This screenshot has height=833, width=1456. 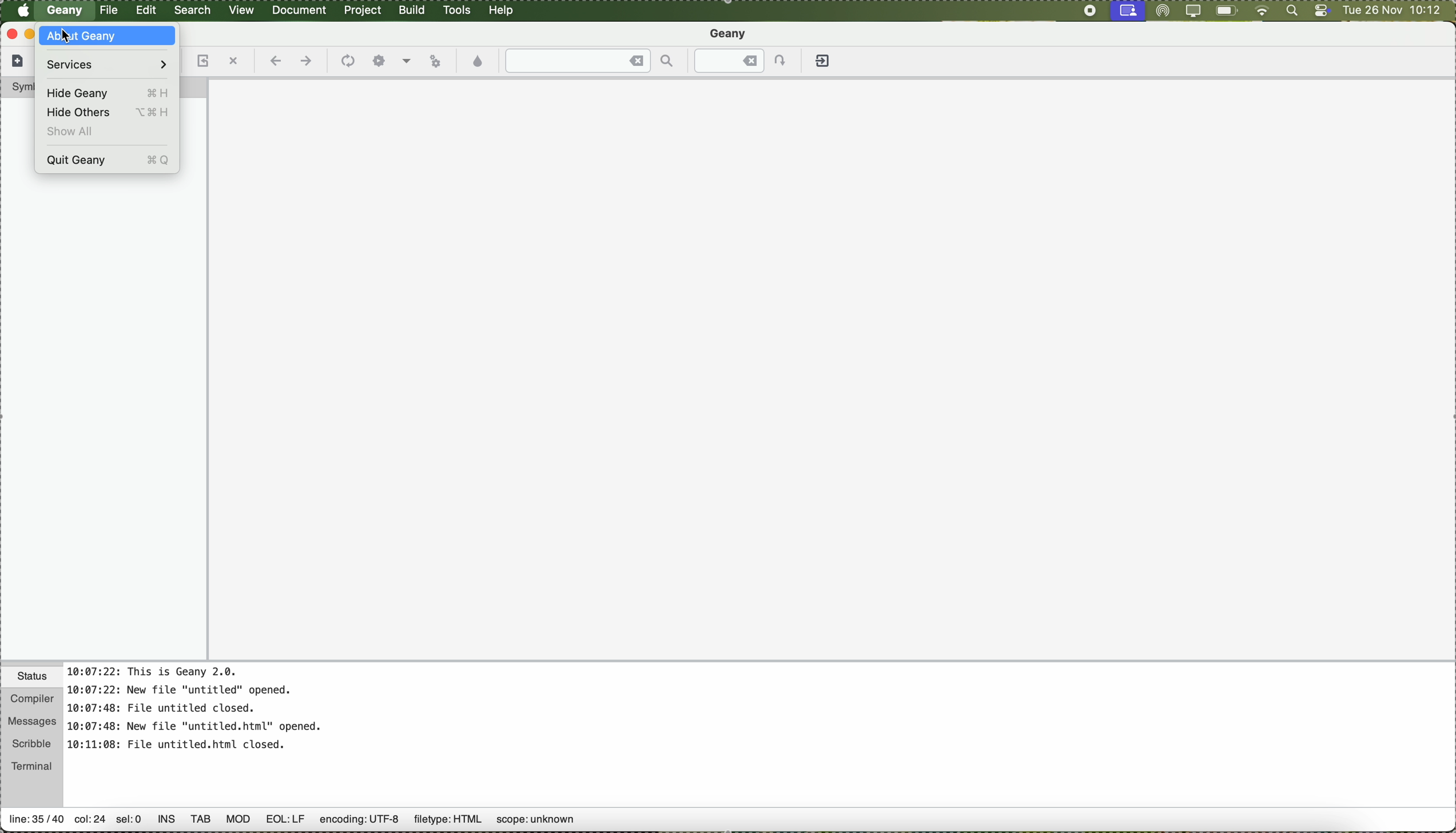 What do you see at coordinates (1259, 11) in the screenshot?
I see `wifi` at bounding box center [1259, 11].